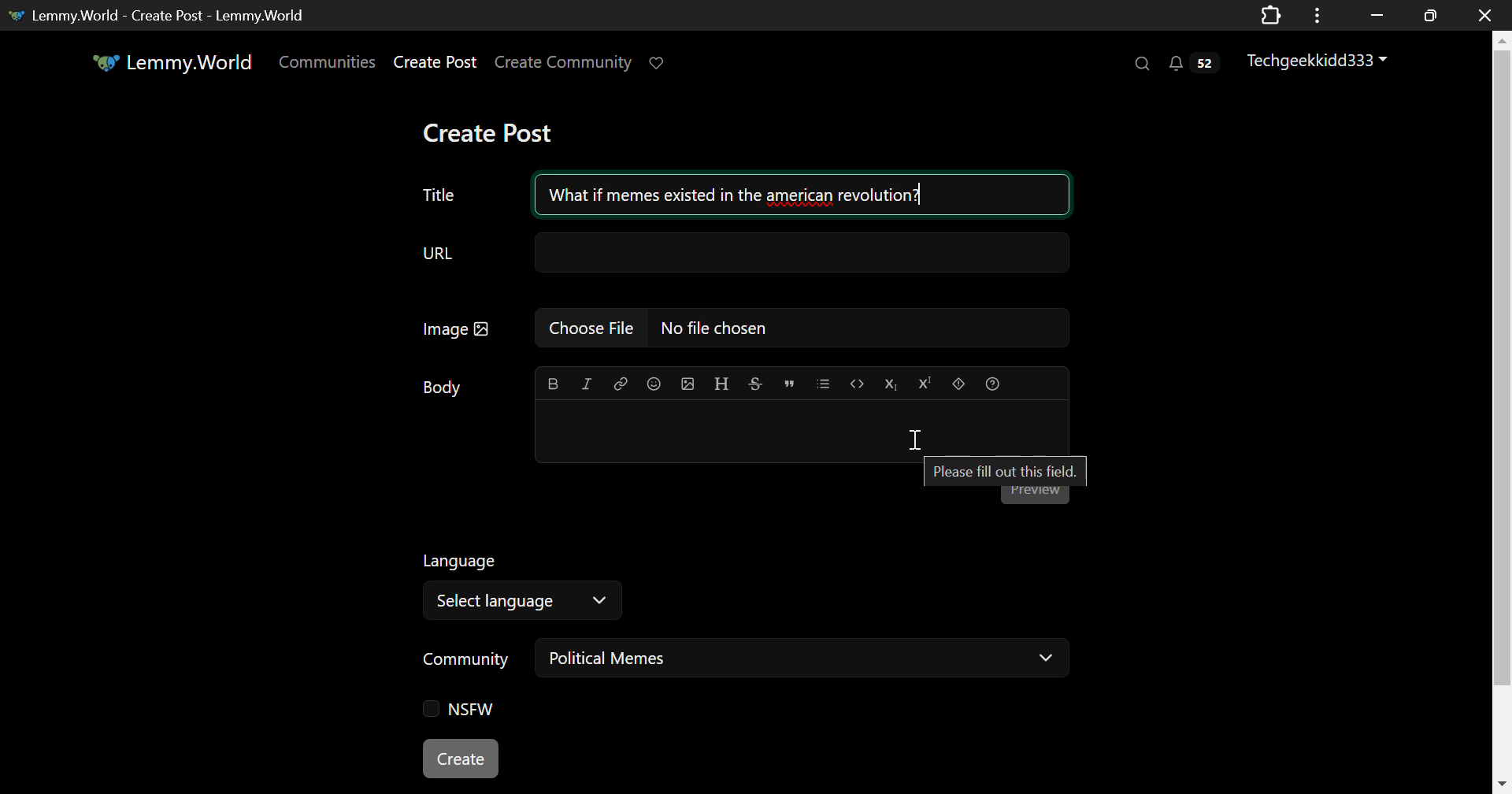  Describe the element at coordinates (747, 661) in the screenshot. I see `Community: Political Memes` at that location.